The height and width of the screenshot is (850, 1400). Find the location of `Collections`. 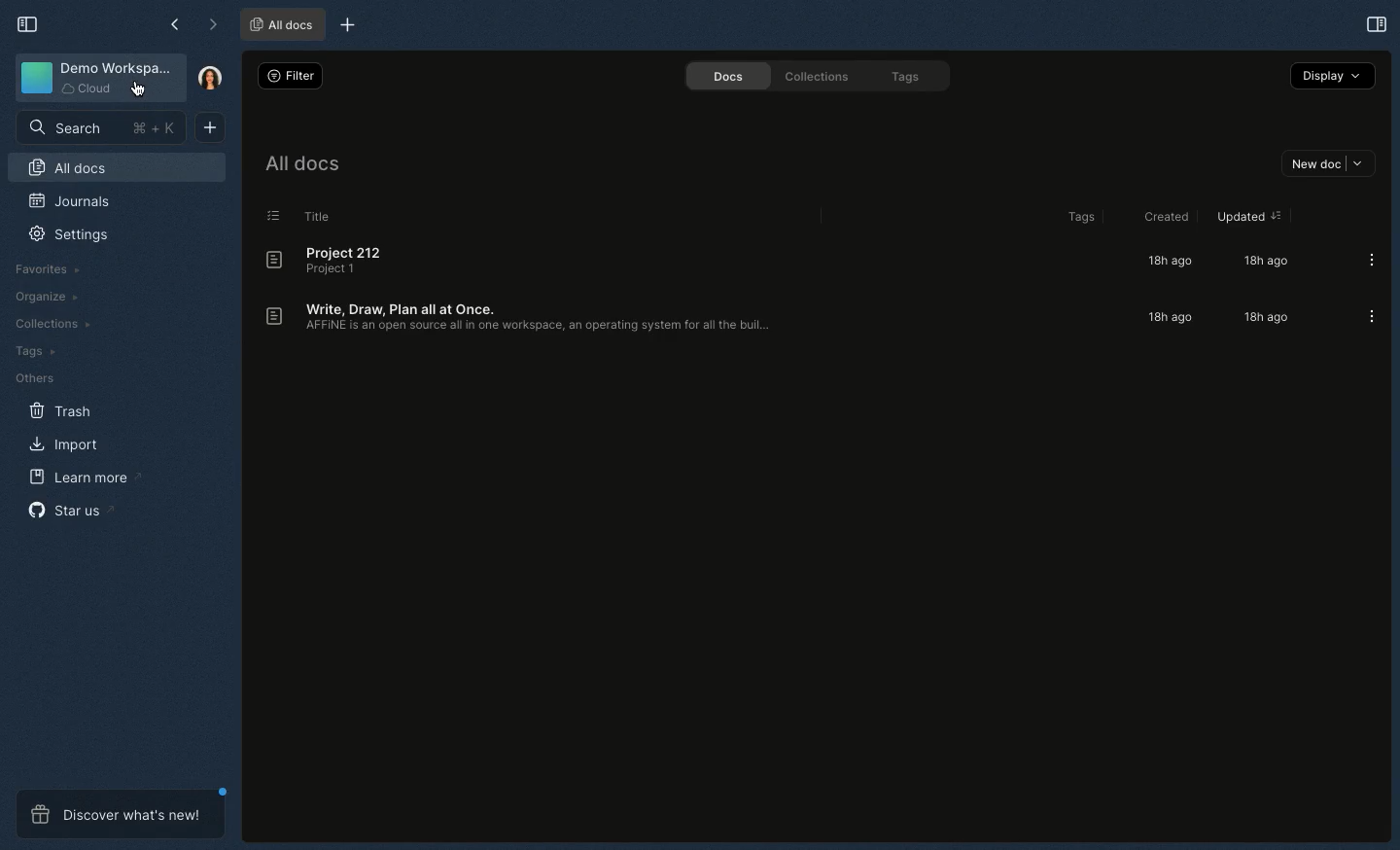

Collections is located at coordinates (49, 322).